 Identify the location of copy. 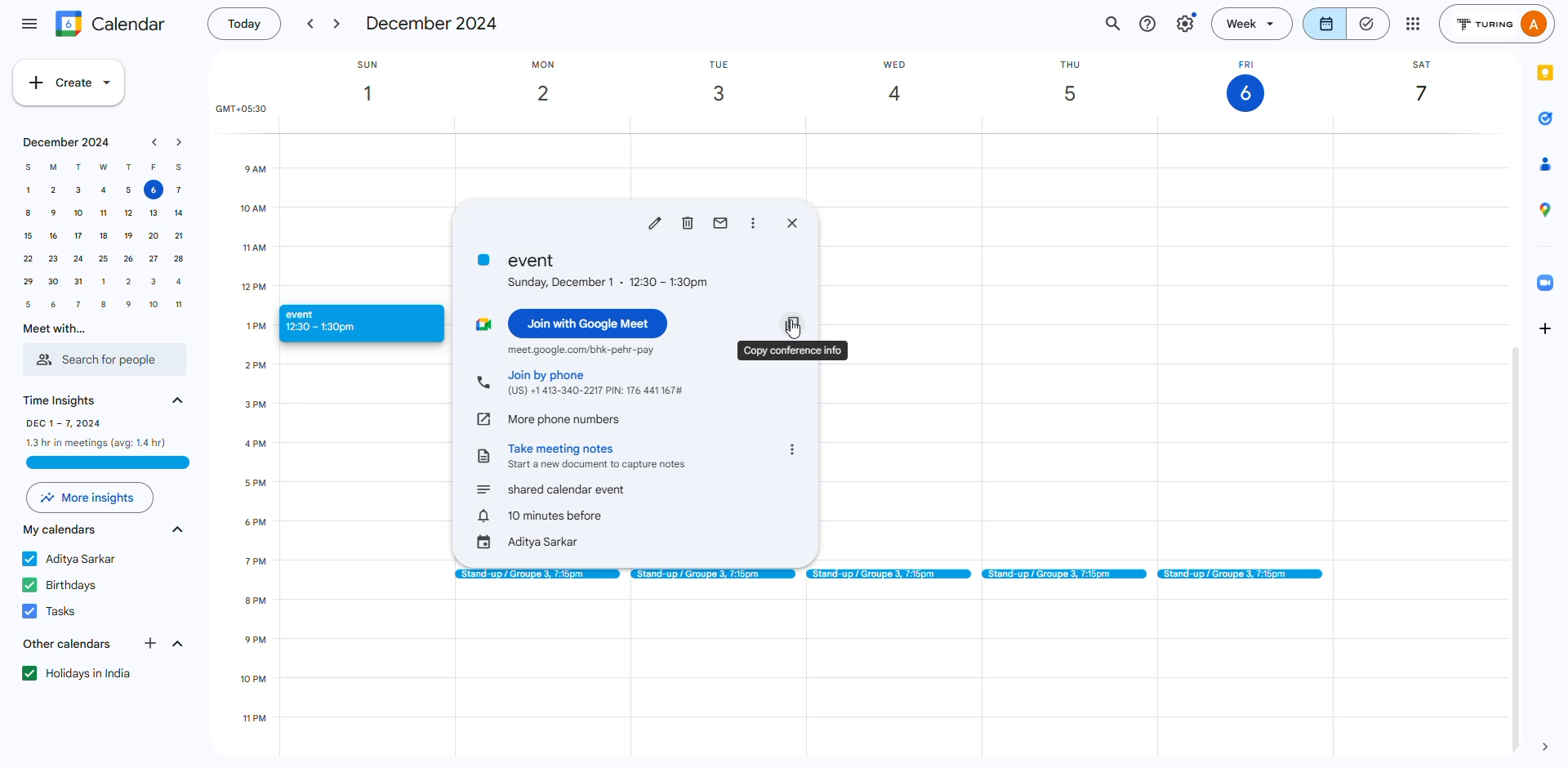
(793, 323).